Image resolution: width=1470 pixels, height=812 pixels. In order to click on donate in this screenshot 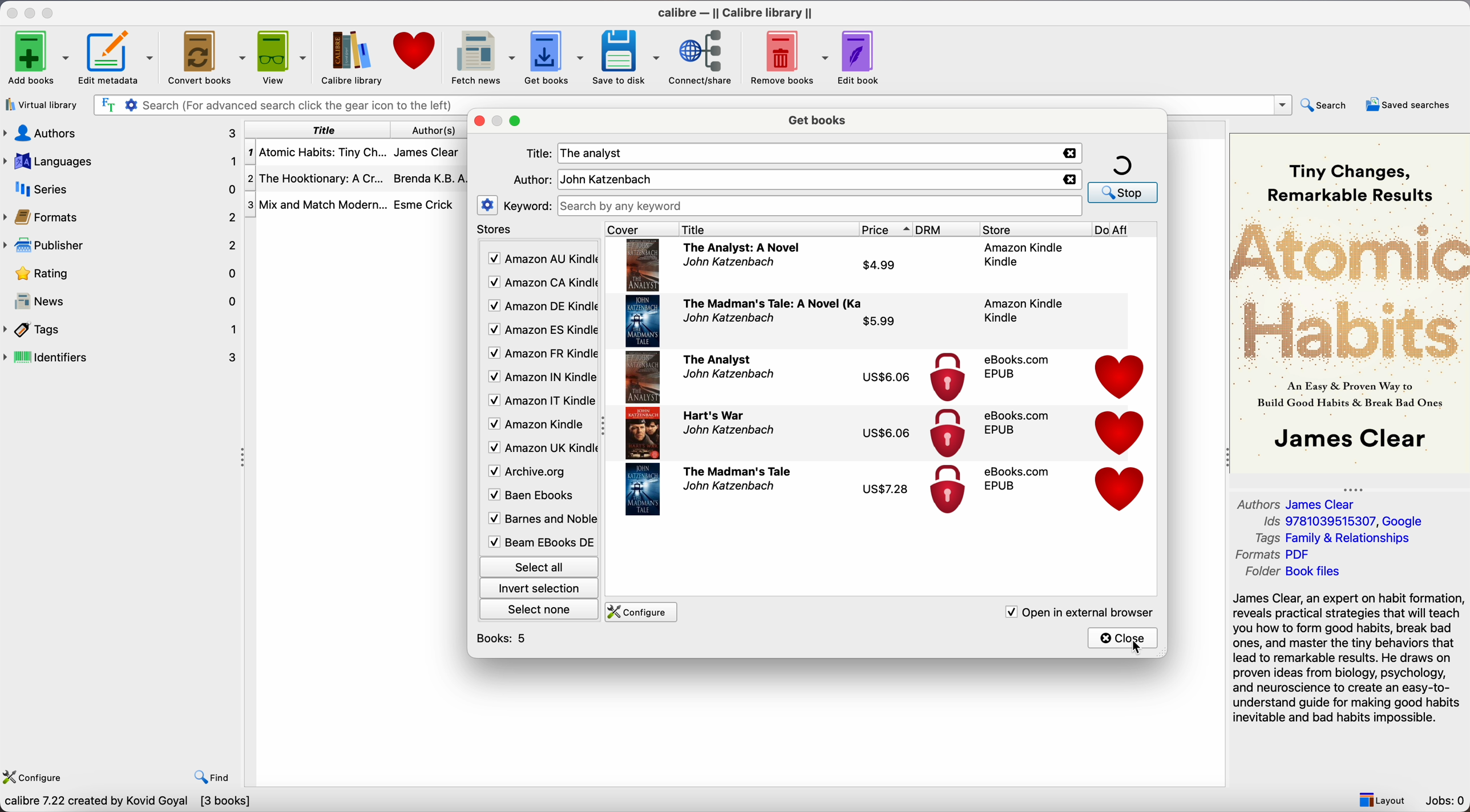, I will do `click(413, 53)`.